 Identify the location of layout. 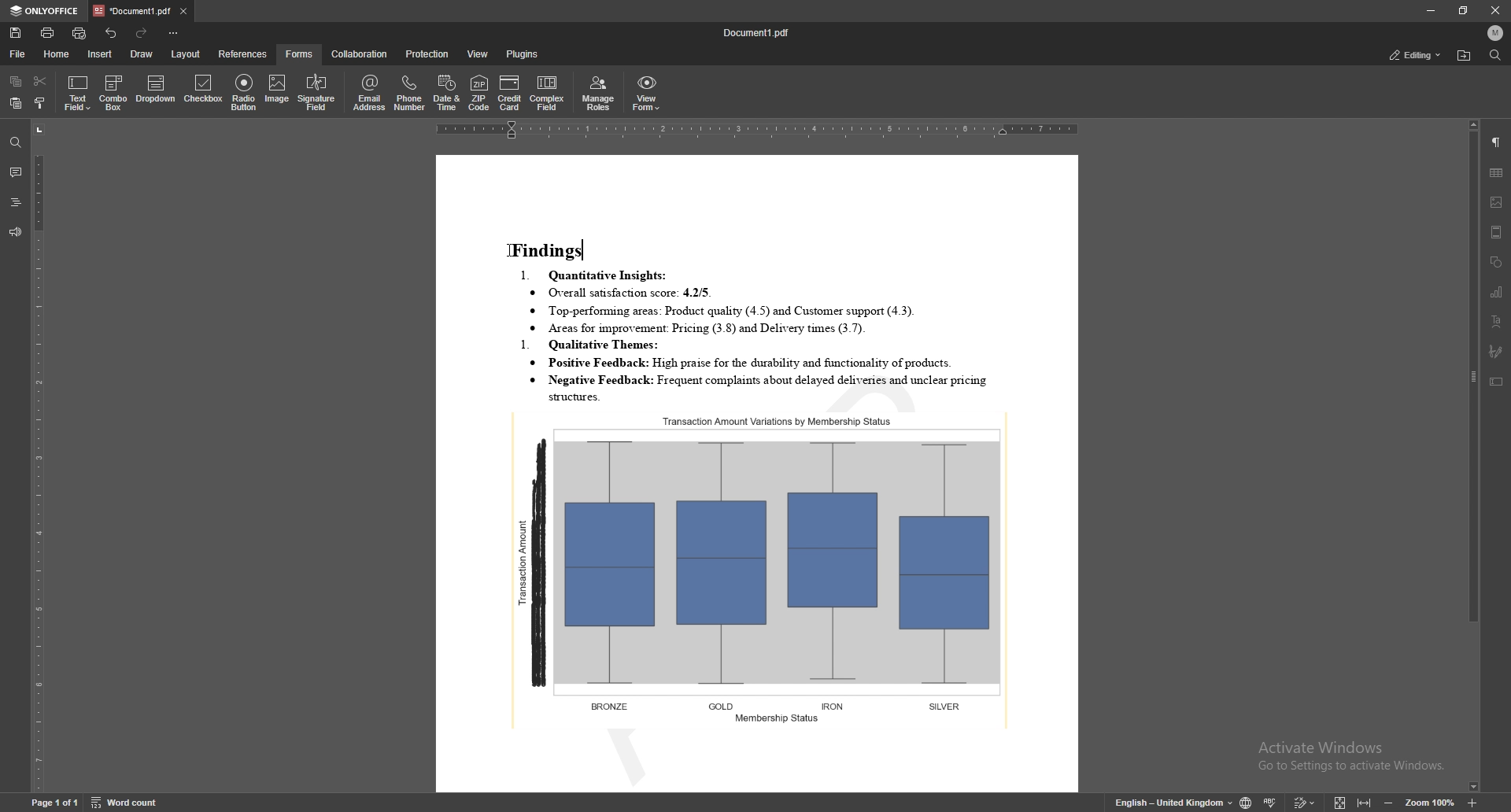
(187, 54).